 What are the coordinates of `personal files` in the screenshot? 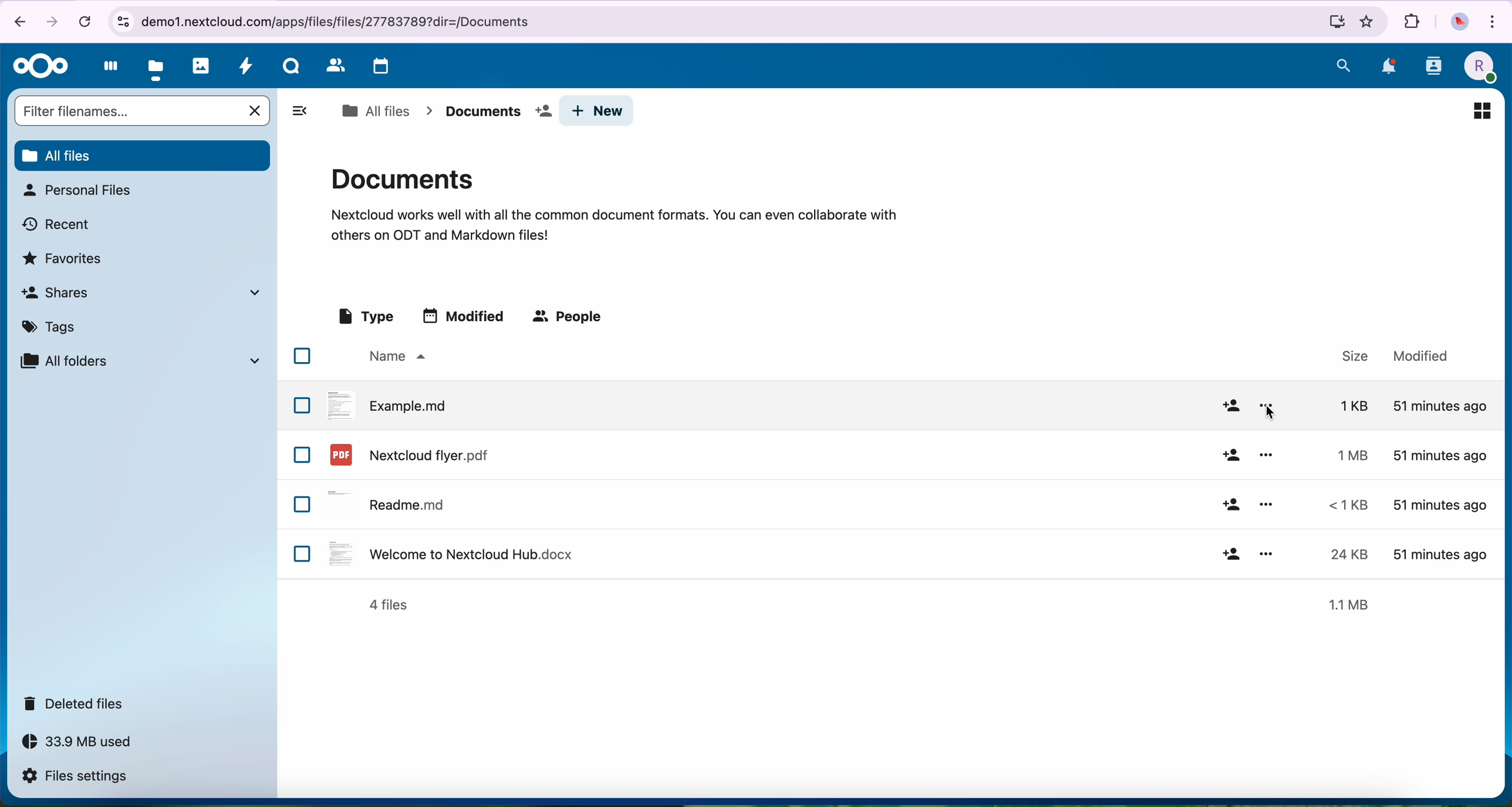 It's located at (76, 190).